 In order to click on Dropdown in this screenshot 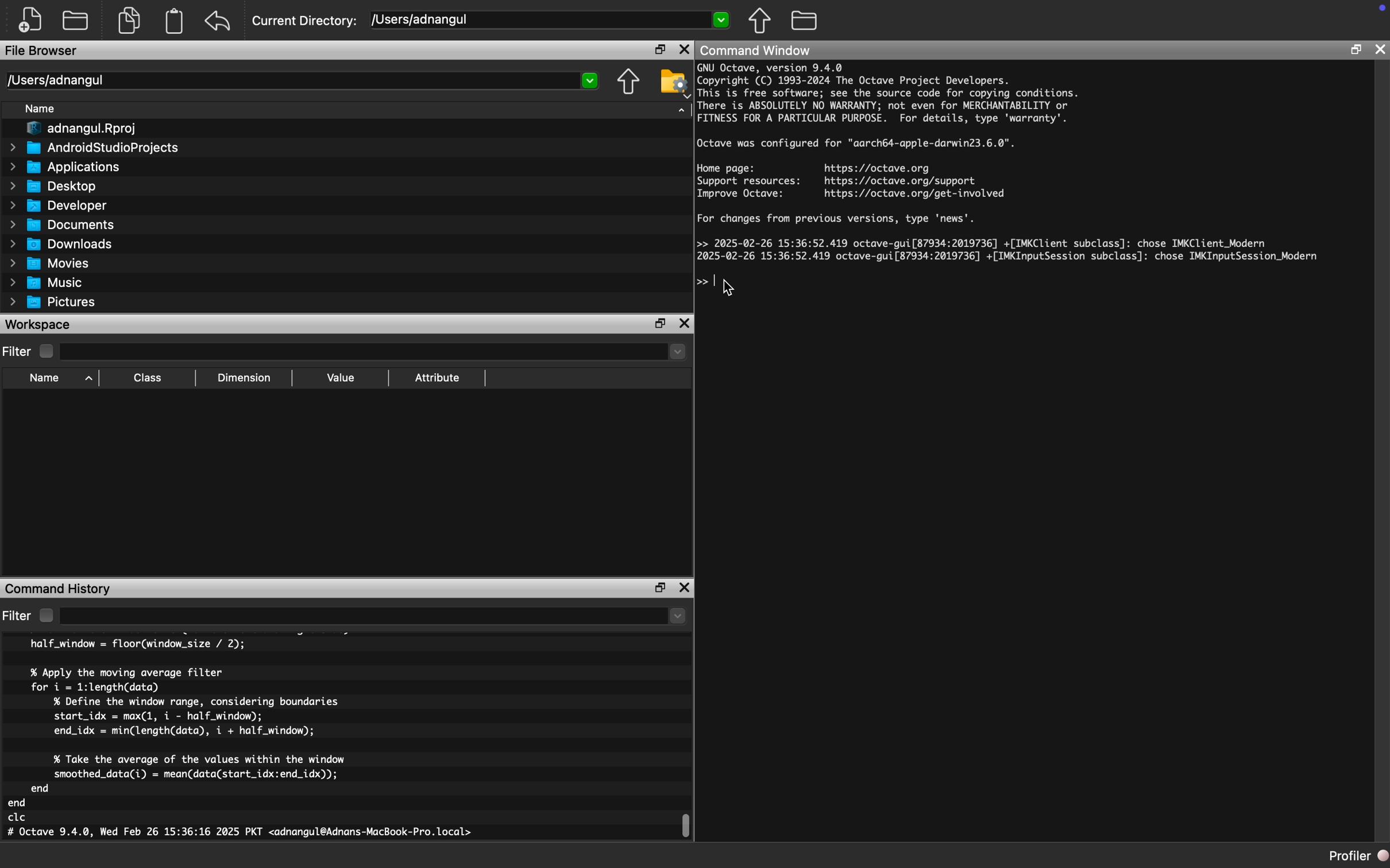, I will do `click(372, 617)`.